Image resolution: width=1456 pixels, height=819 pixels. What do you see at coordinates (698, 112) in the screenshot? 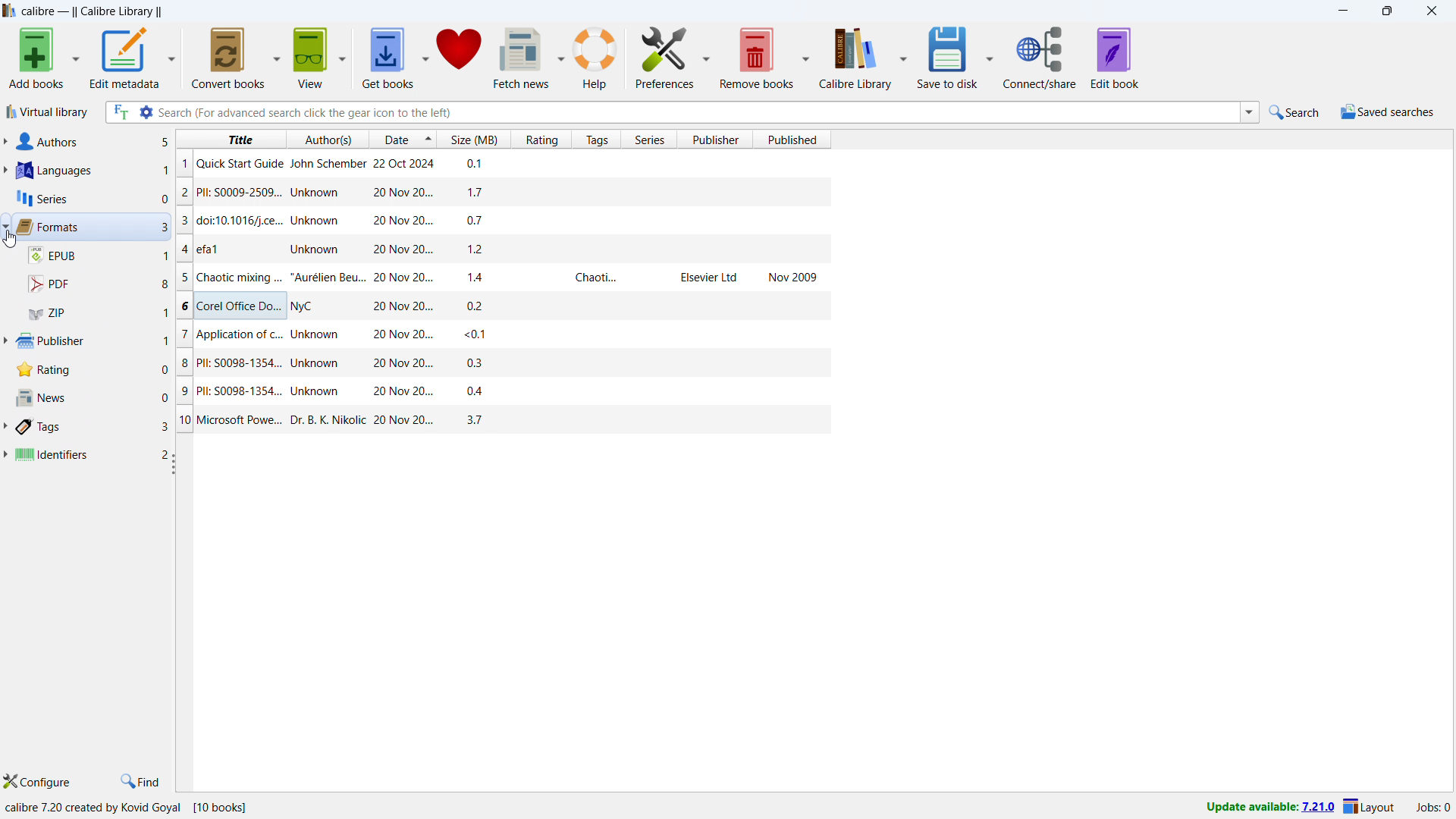
I see `enter search string` at bounding box center [698, 112].